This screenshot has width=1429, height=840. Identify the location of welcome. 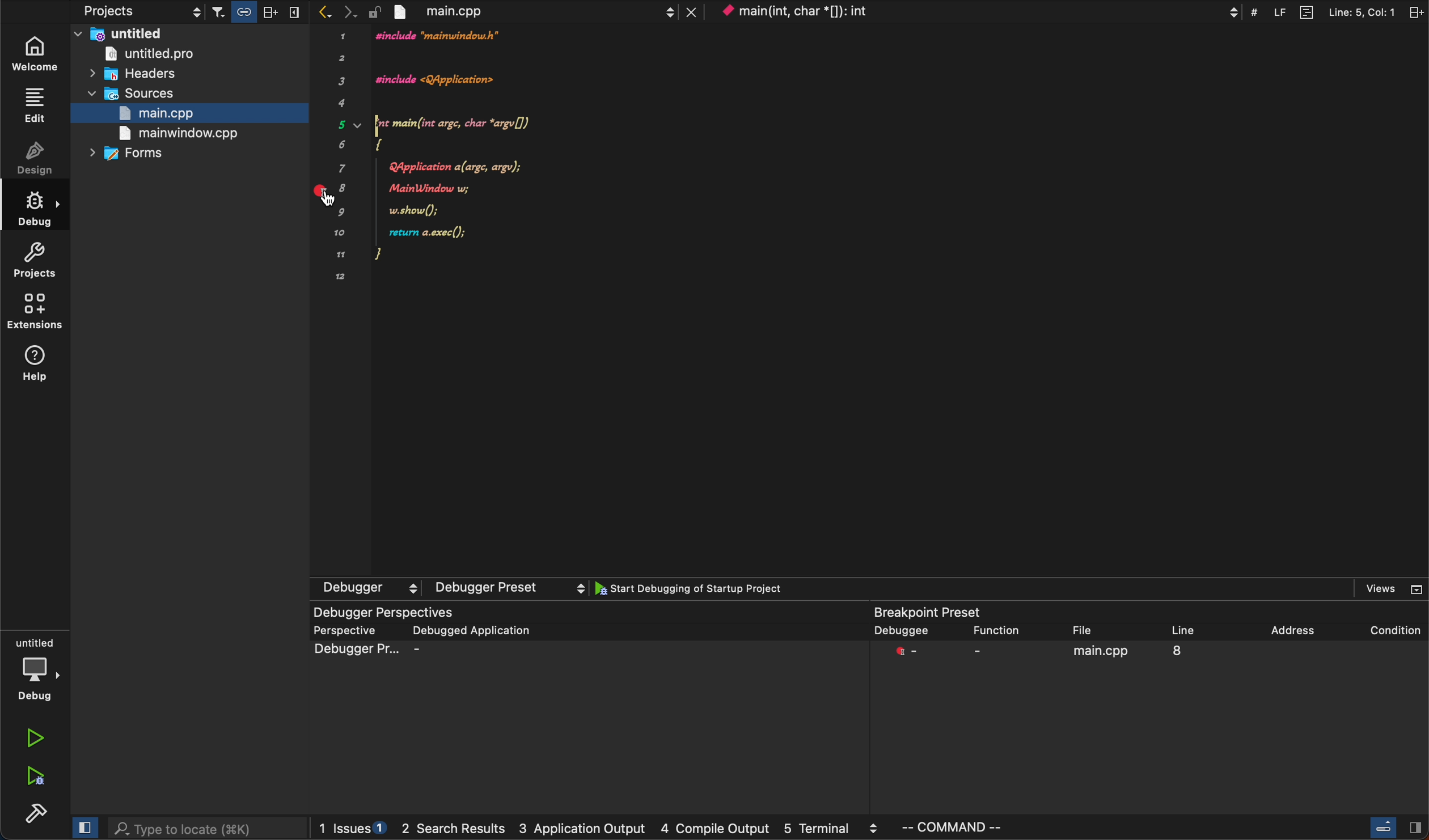
(38, 49).